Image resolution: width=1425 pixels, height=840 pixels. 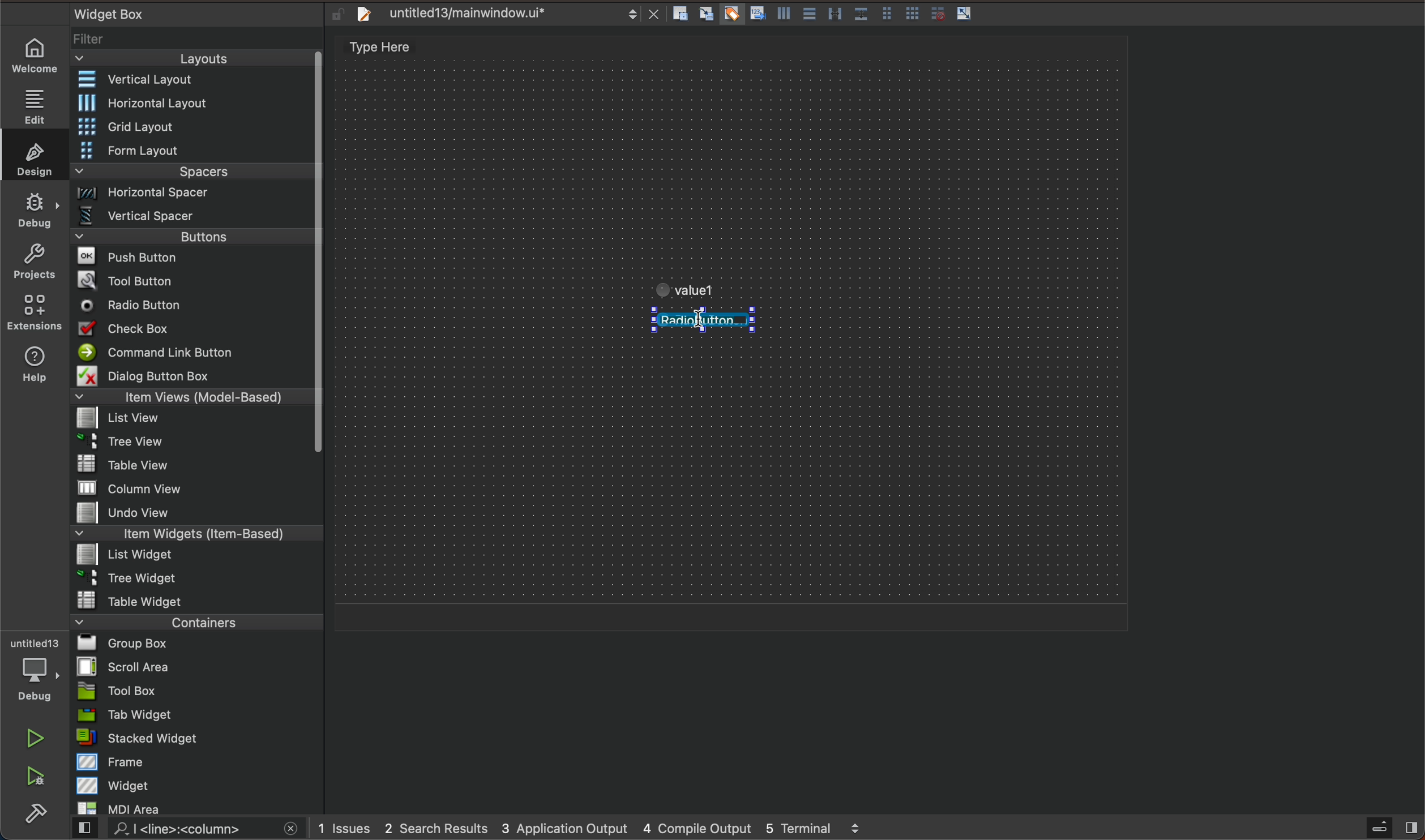 I want to click on , so click(x=730, y=15).